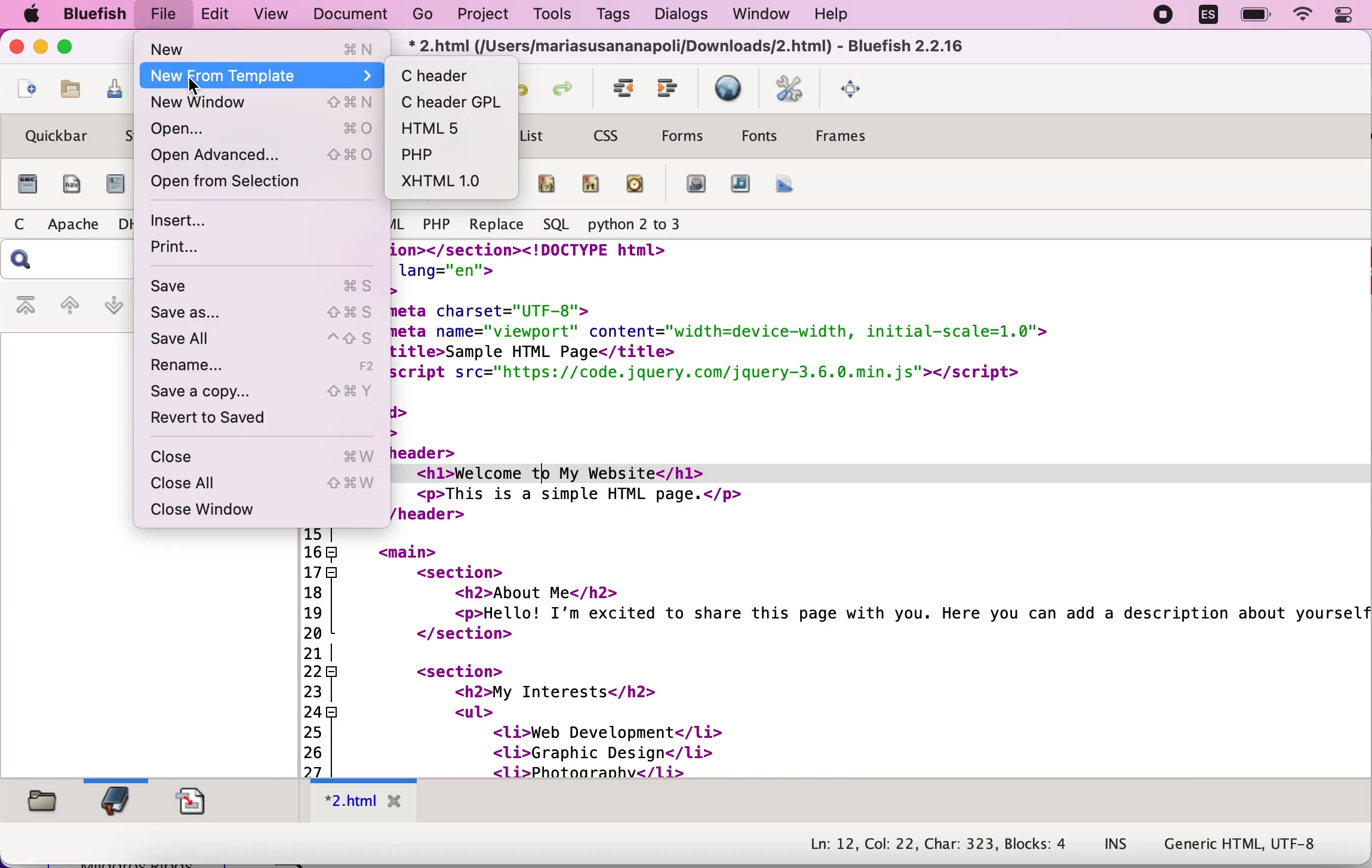 The width and height of the screenshot is (1372, 868). Describe the element at coordinates (454, 101) in the screenshot. I see ` header gpl` at that location.